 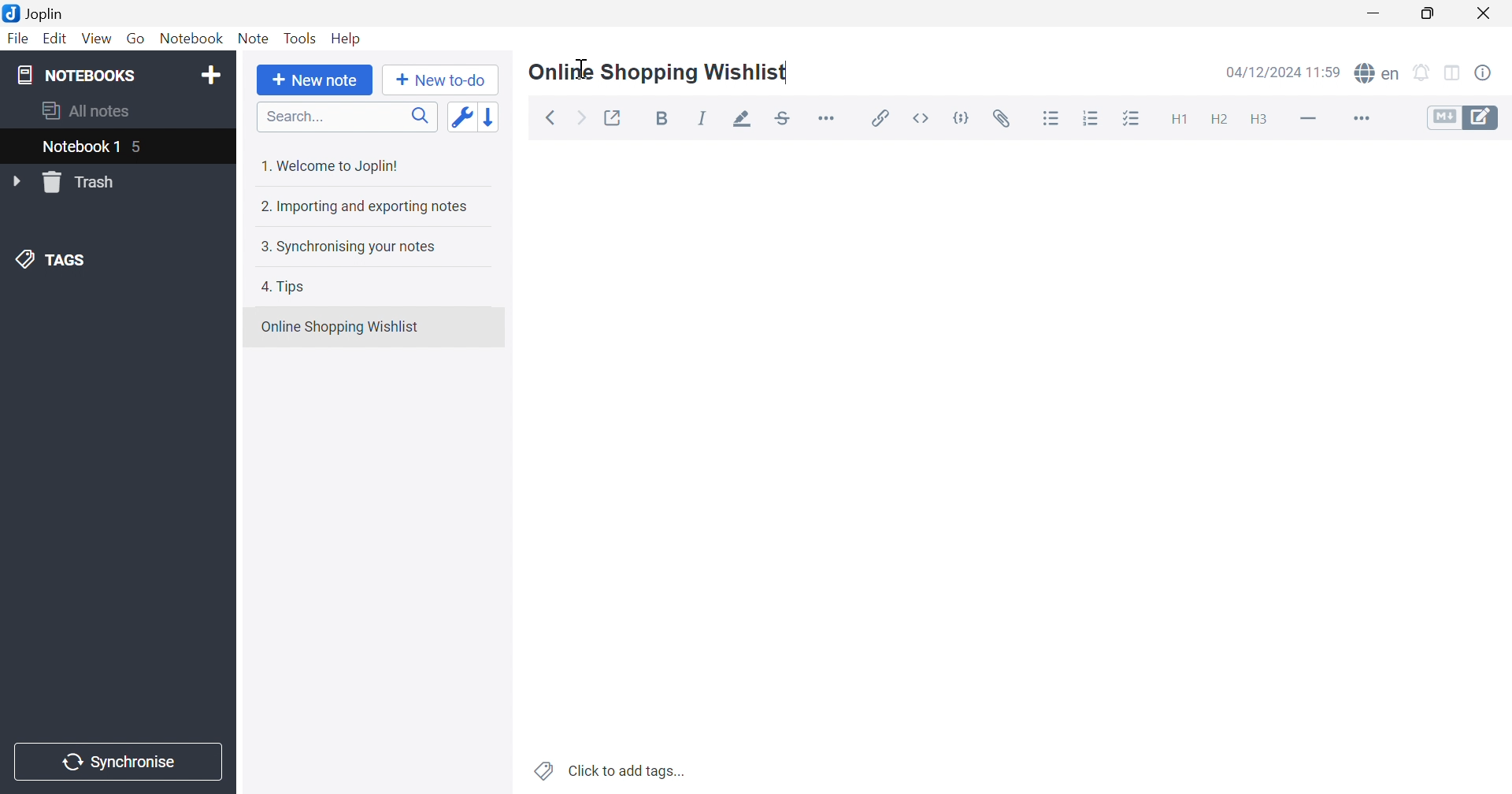 I want to click on Help, so click(x=346, y=38).